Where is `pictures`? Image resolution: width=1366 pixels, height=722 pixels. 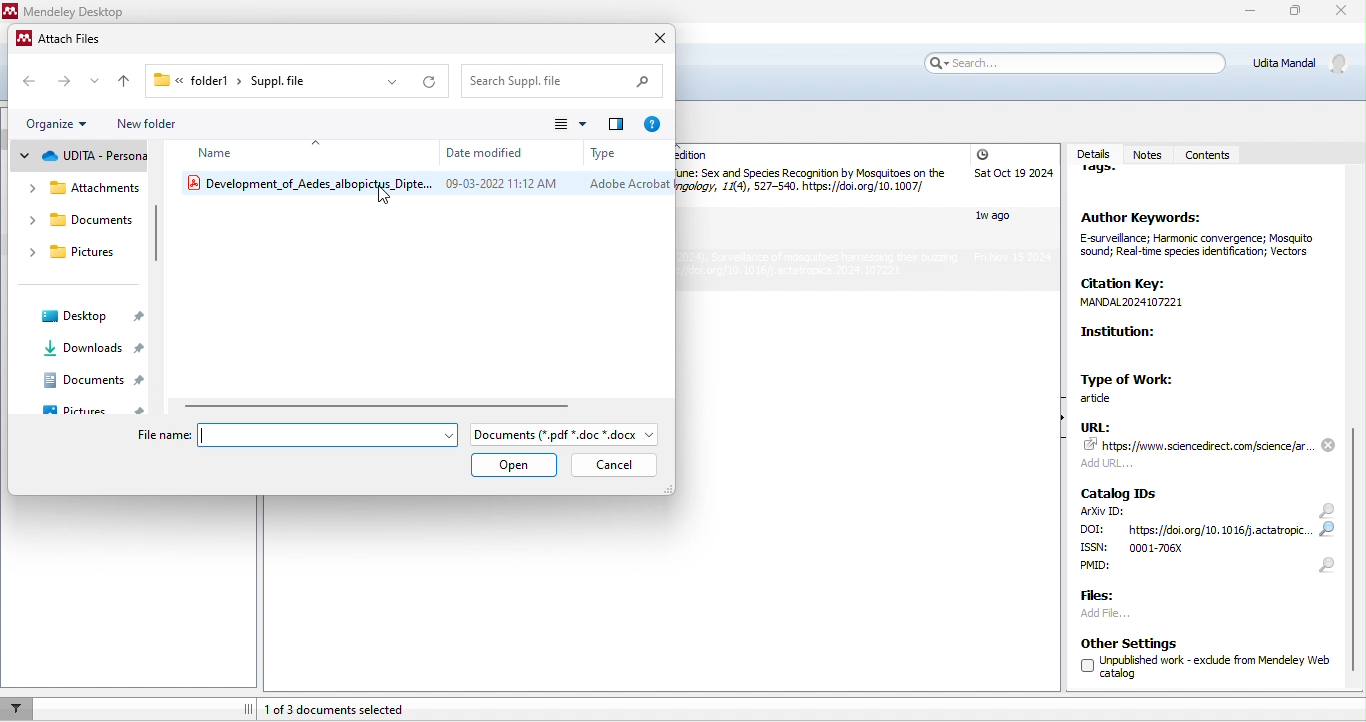
pictures is located at coordinates (78, 253).